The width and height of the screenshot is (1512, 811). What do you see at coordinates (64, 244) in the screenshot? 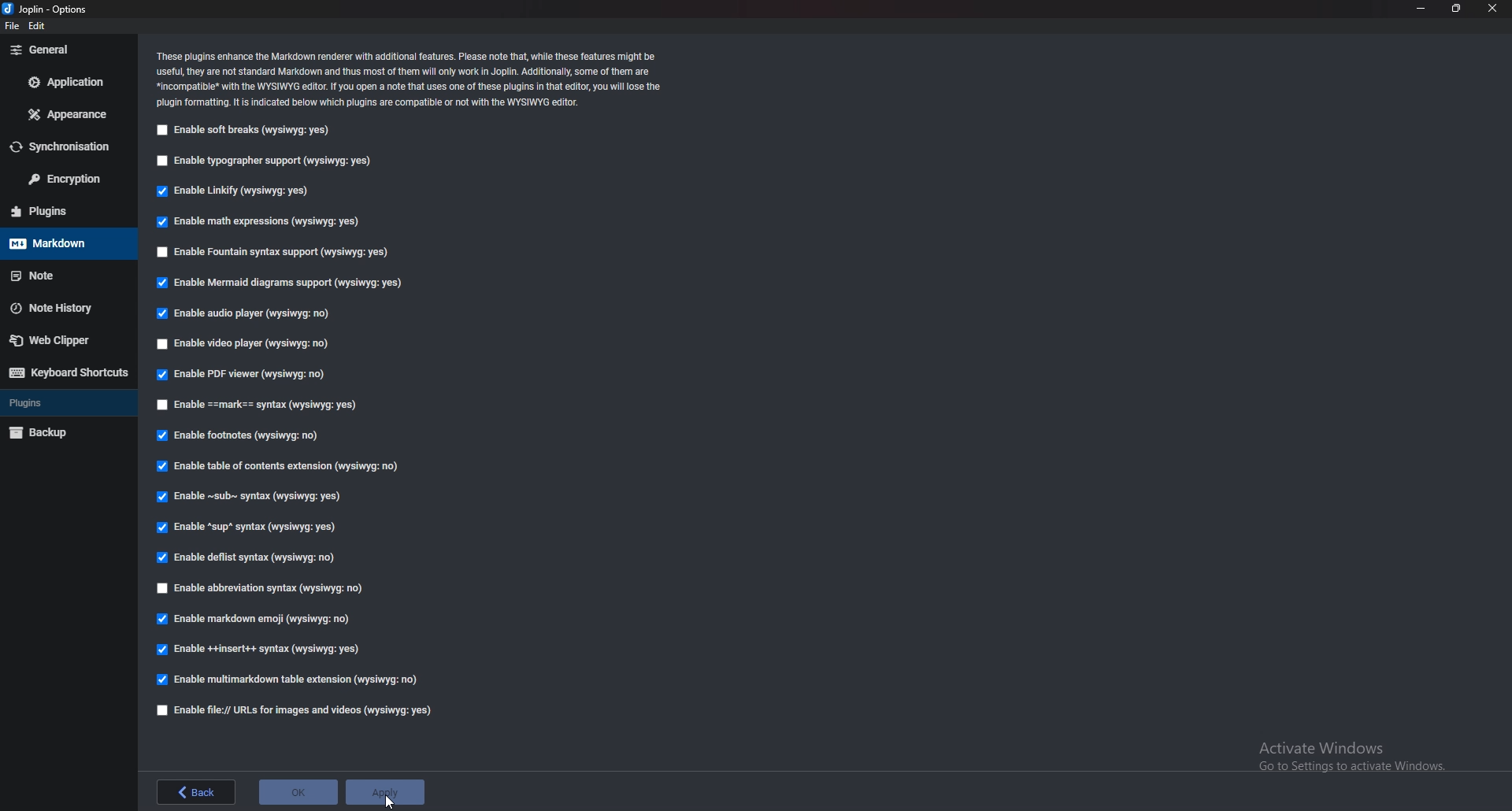
I see `Mark down` at bounding box center [64, 244].